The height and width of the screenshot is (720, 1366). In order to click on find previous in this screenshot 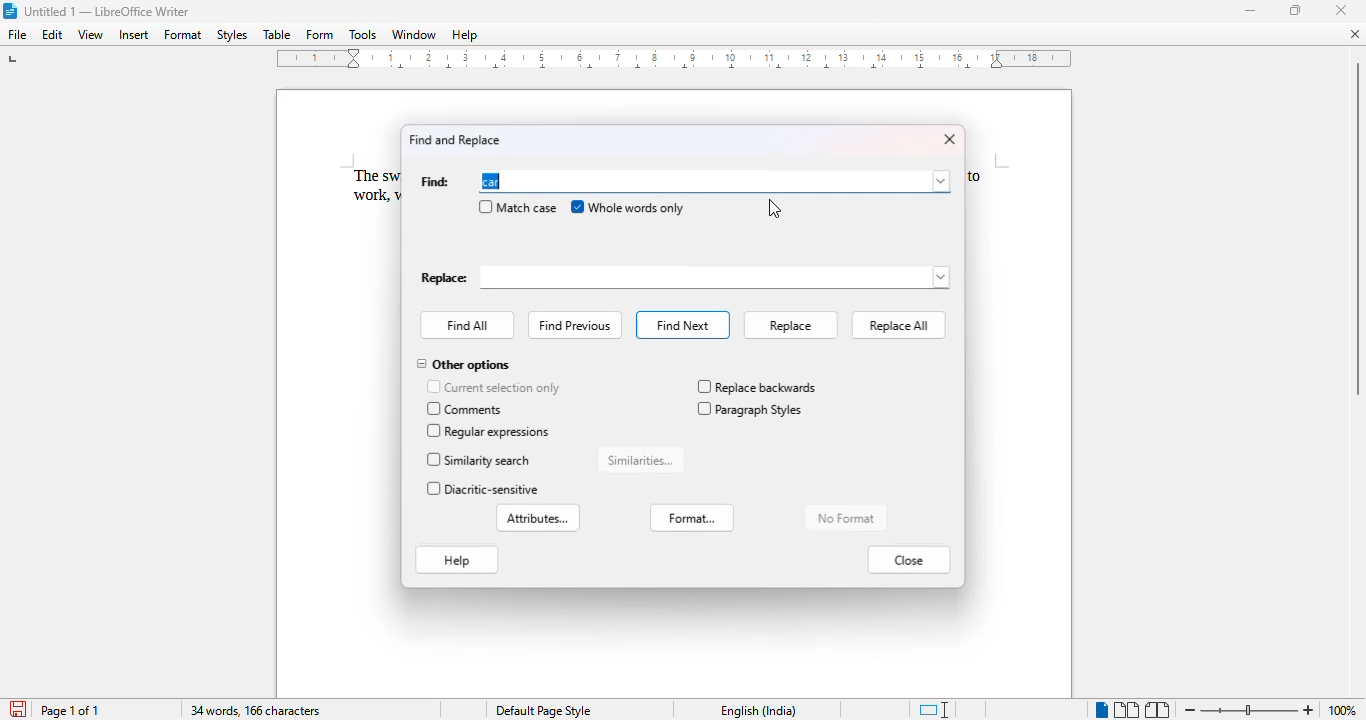, I will do `click(575, 326)`.